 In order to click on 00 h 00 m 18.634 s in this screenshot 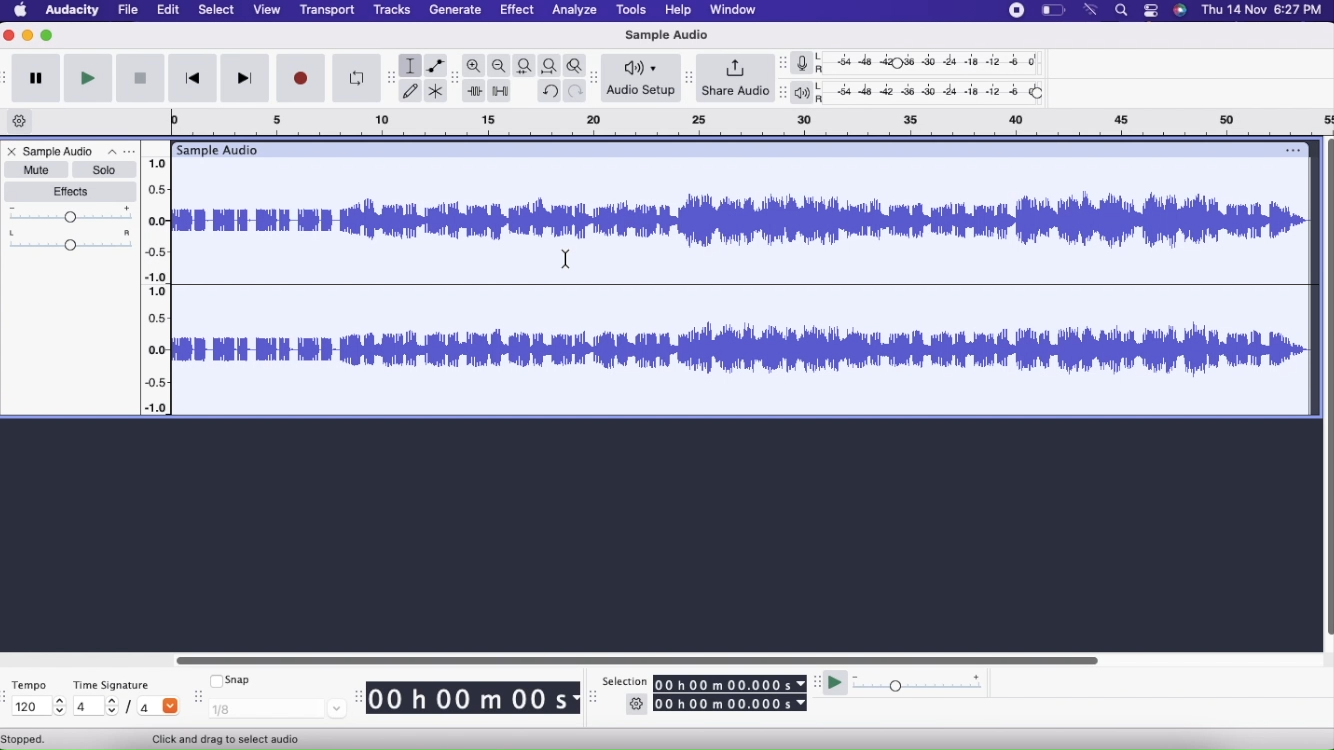, I will do `click(732, 683)`.